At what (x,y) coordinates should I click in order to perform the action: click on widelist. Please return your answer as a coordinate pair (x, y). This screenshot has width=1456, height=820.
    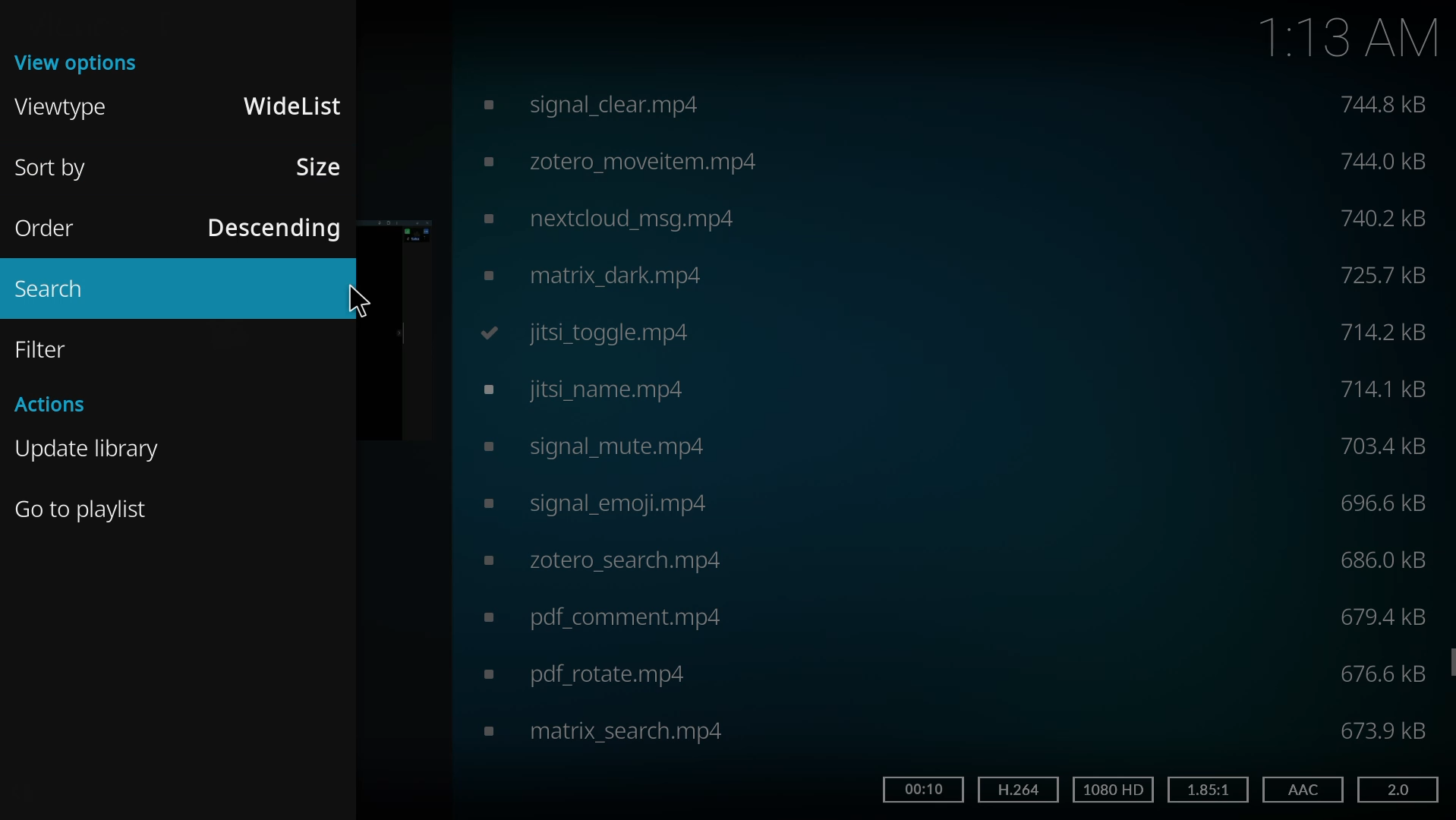
    Looking at the image, I should click on (290, 107).